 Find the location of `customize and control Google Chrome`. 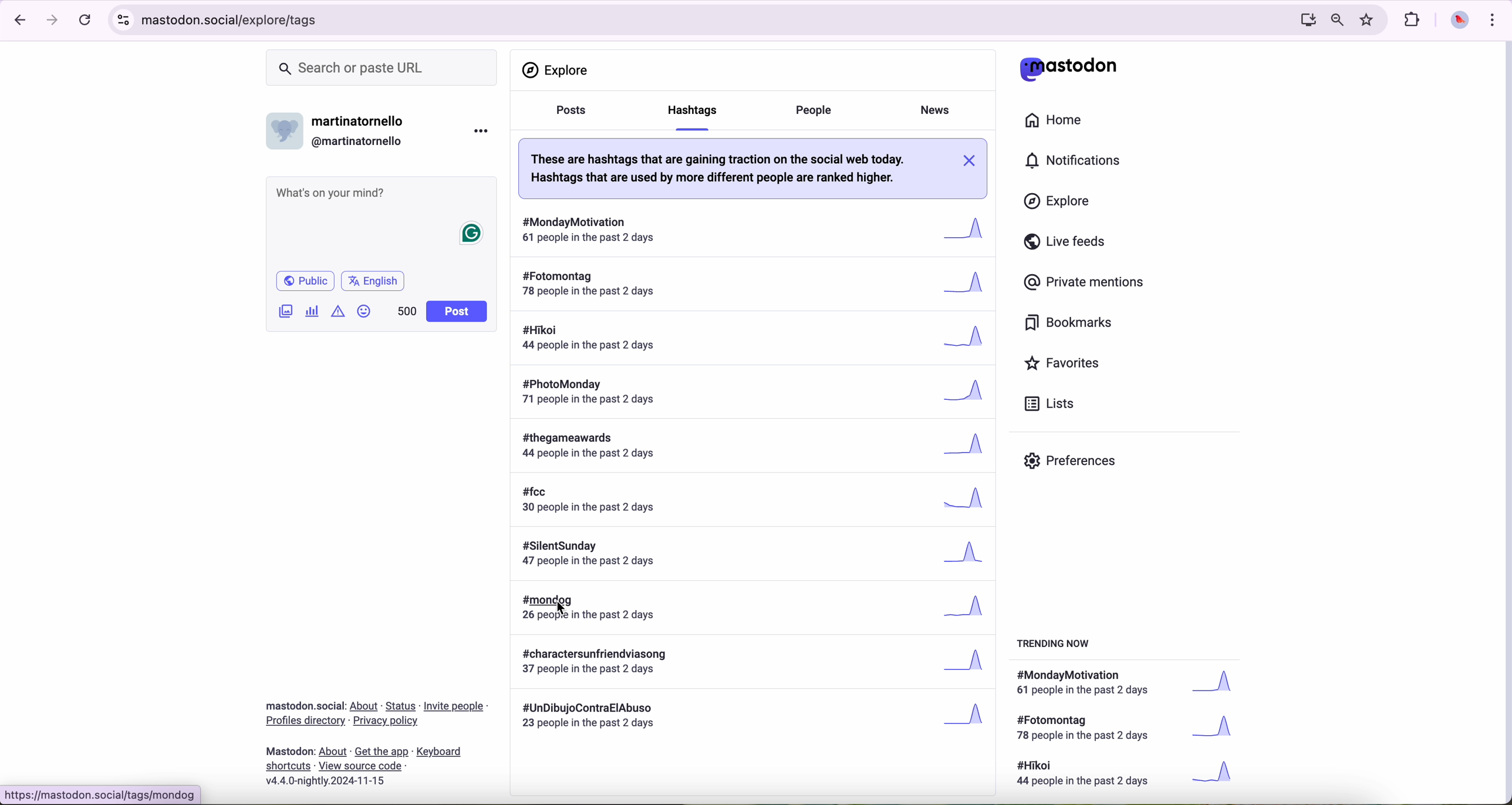

customize and control Google Chrome is located at coordinates (1496, 20).